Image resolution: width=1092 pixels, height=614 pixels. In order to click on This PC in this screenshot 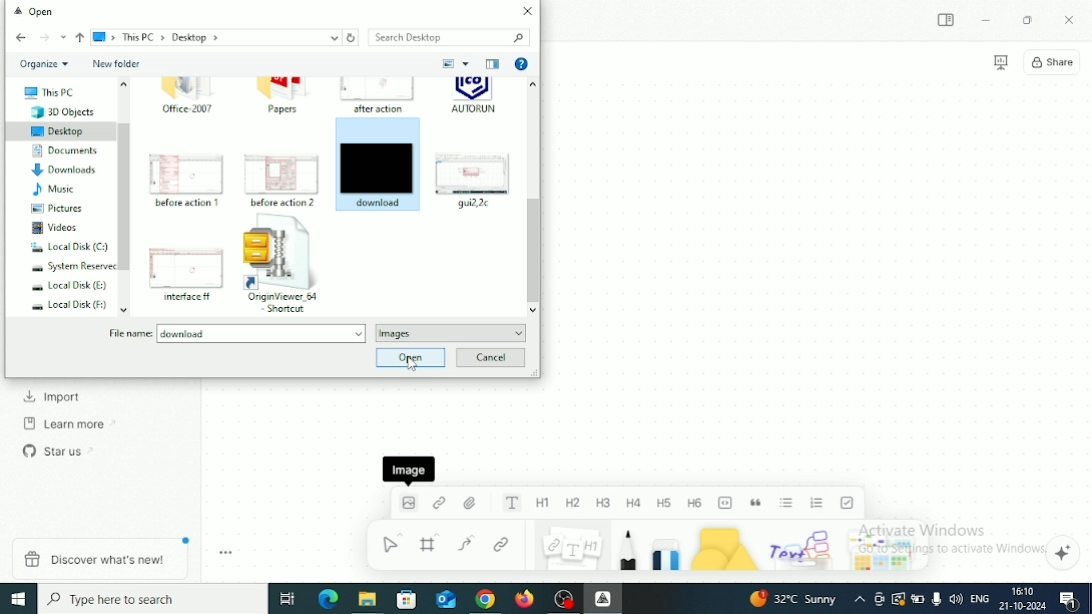, I will do `click(42, 93)`.